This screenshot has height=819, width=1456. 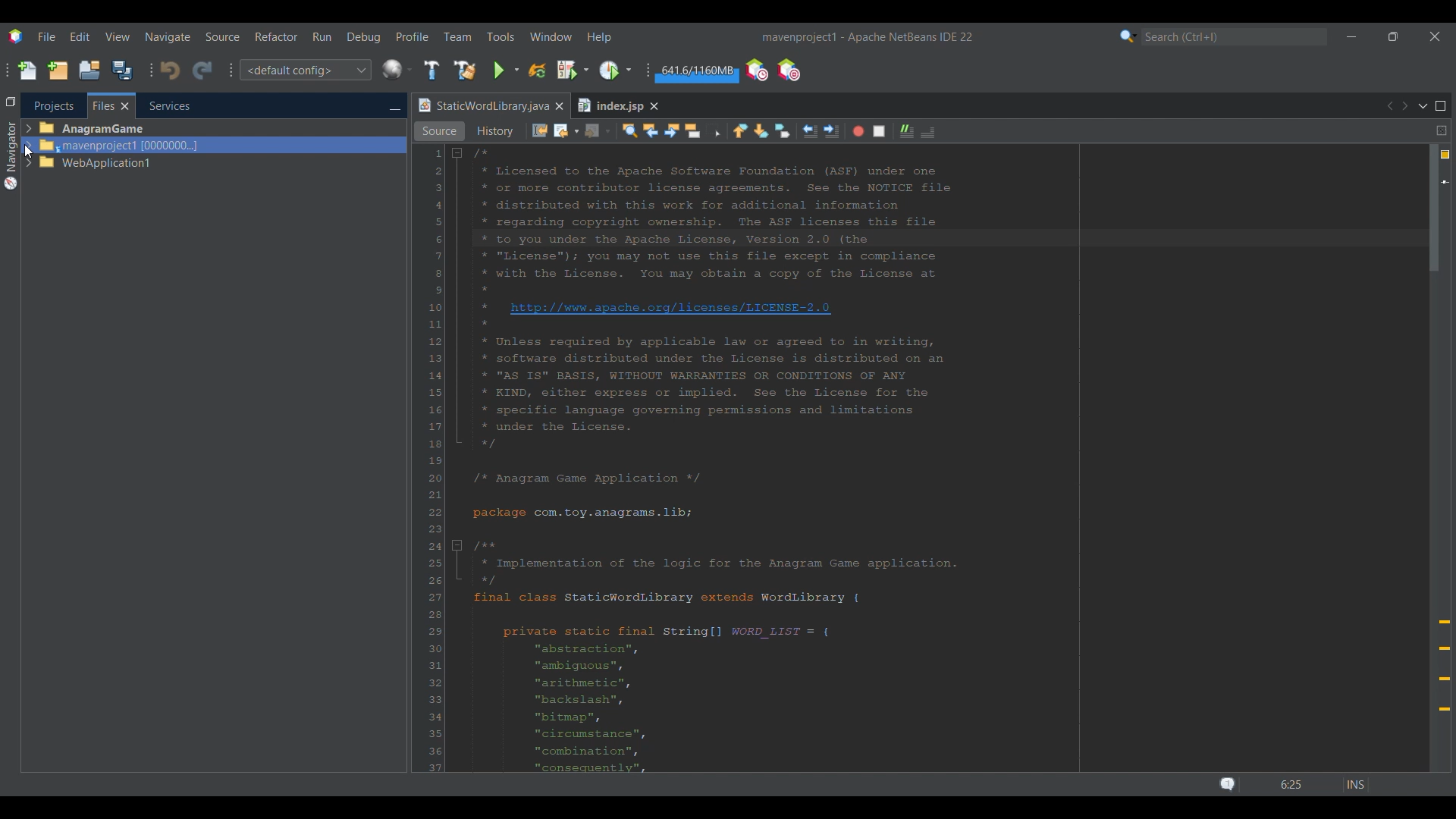 What do you see at coordinates (281, 145) in the screenshot?
I see `Selected tab highlighted` at bounding box center [281, 145].